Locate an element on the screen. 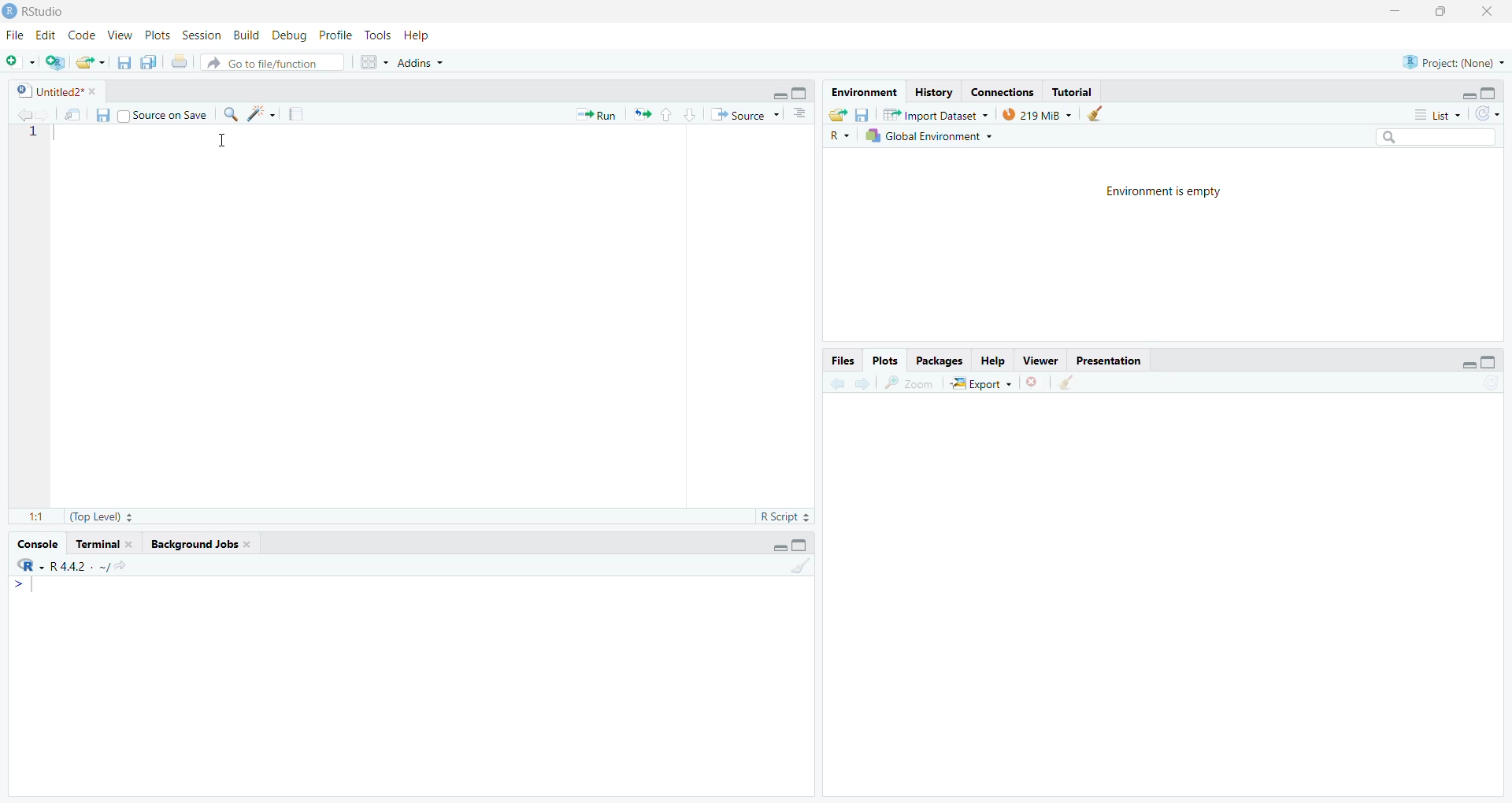 This screenshot has width=1512, height=803. Next plot is located at coordinates (865, 382).